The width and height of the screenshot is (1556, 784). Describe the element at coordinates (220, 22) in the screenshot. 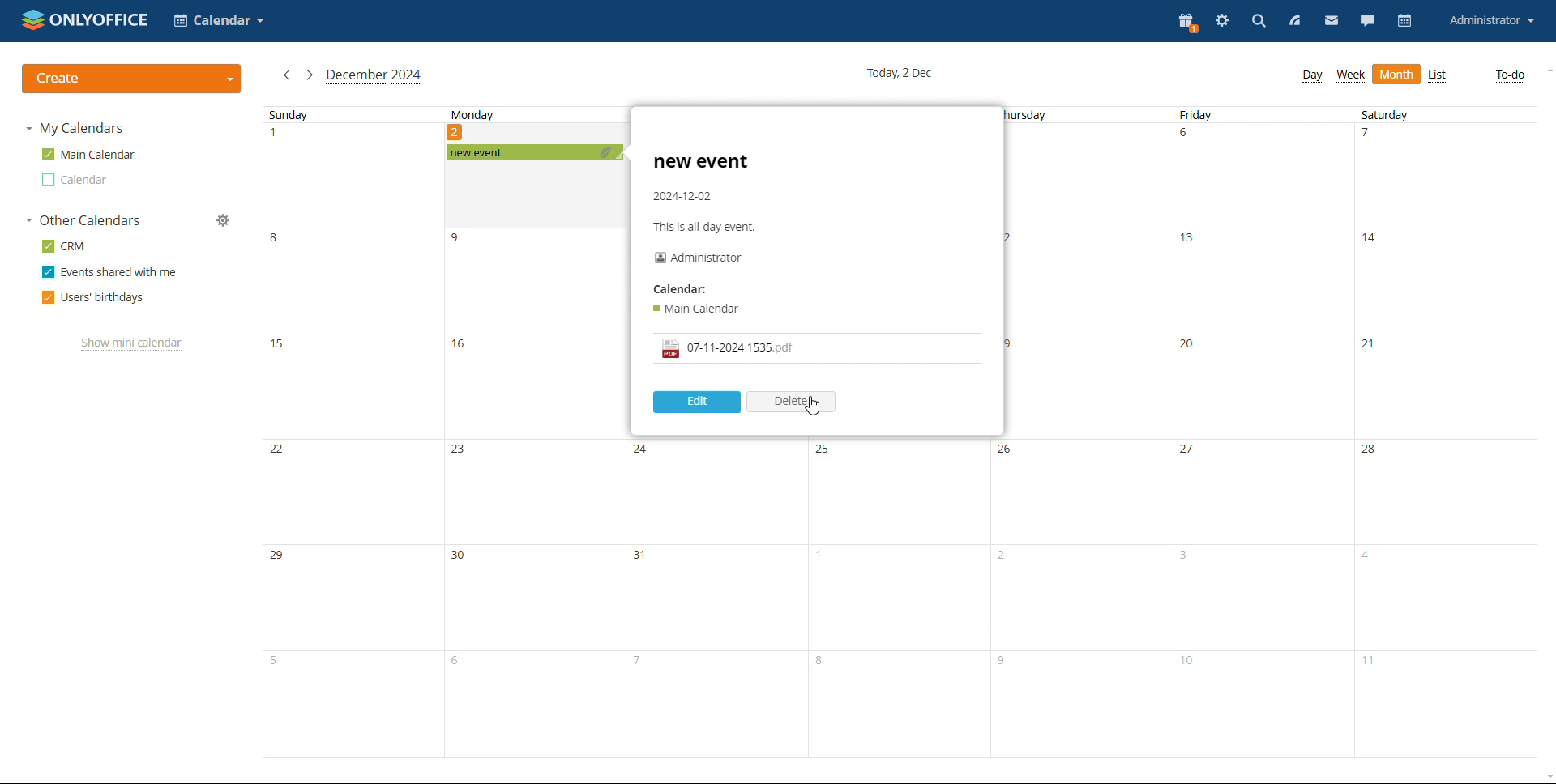

I see `Calendar` at that location.